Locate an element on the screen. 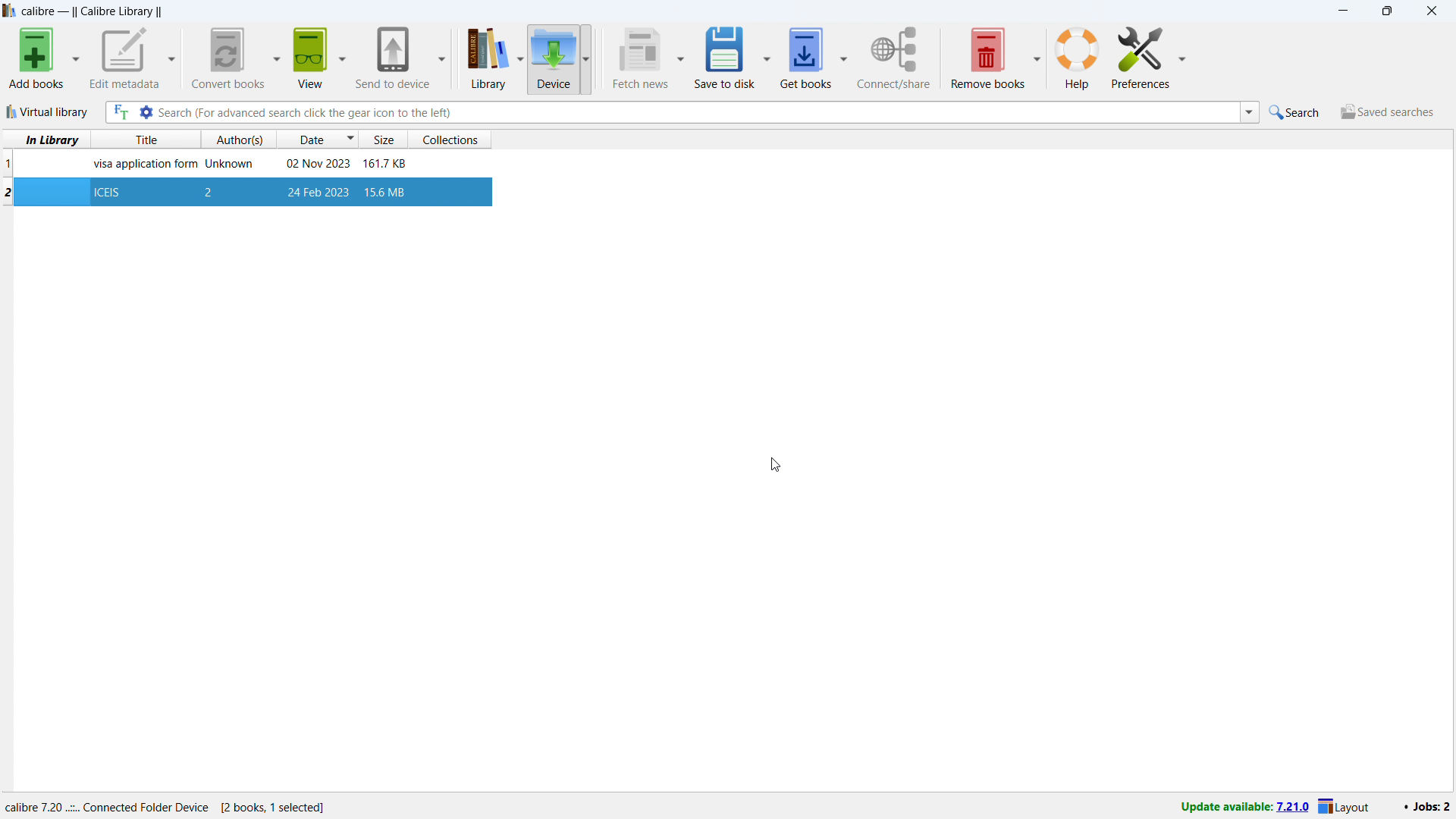  sort by authors is located at coordinates (240, 140).